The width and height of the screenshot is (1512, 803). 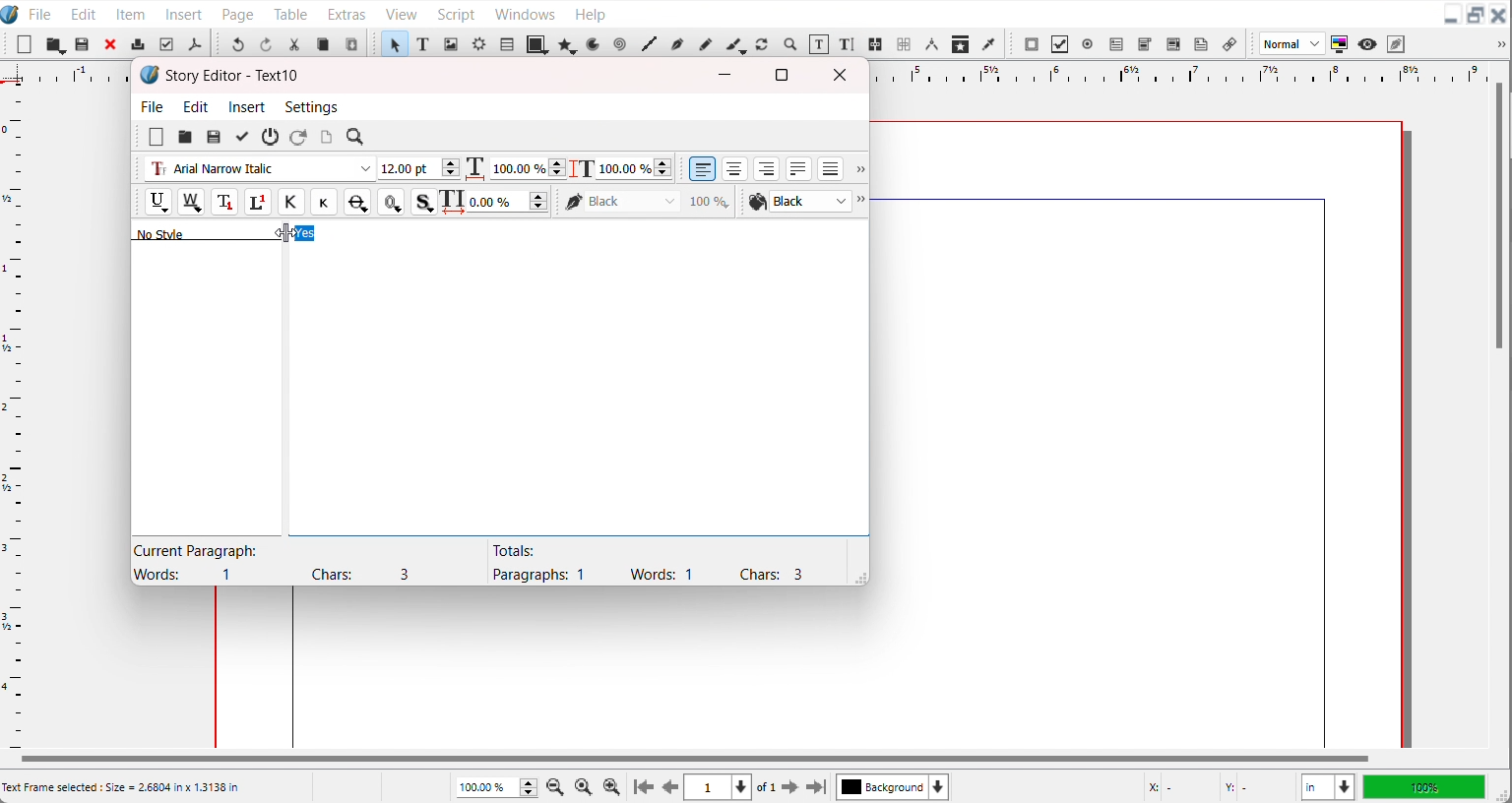 What do you see at coordinates (225, 232) in the screenshot?
I see `Text` at bounding box center [225, 232].